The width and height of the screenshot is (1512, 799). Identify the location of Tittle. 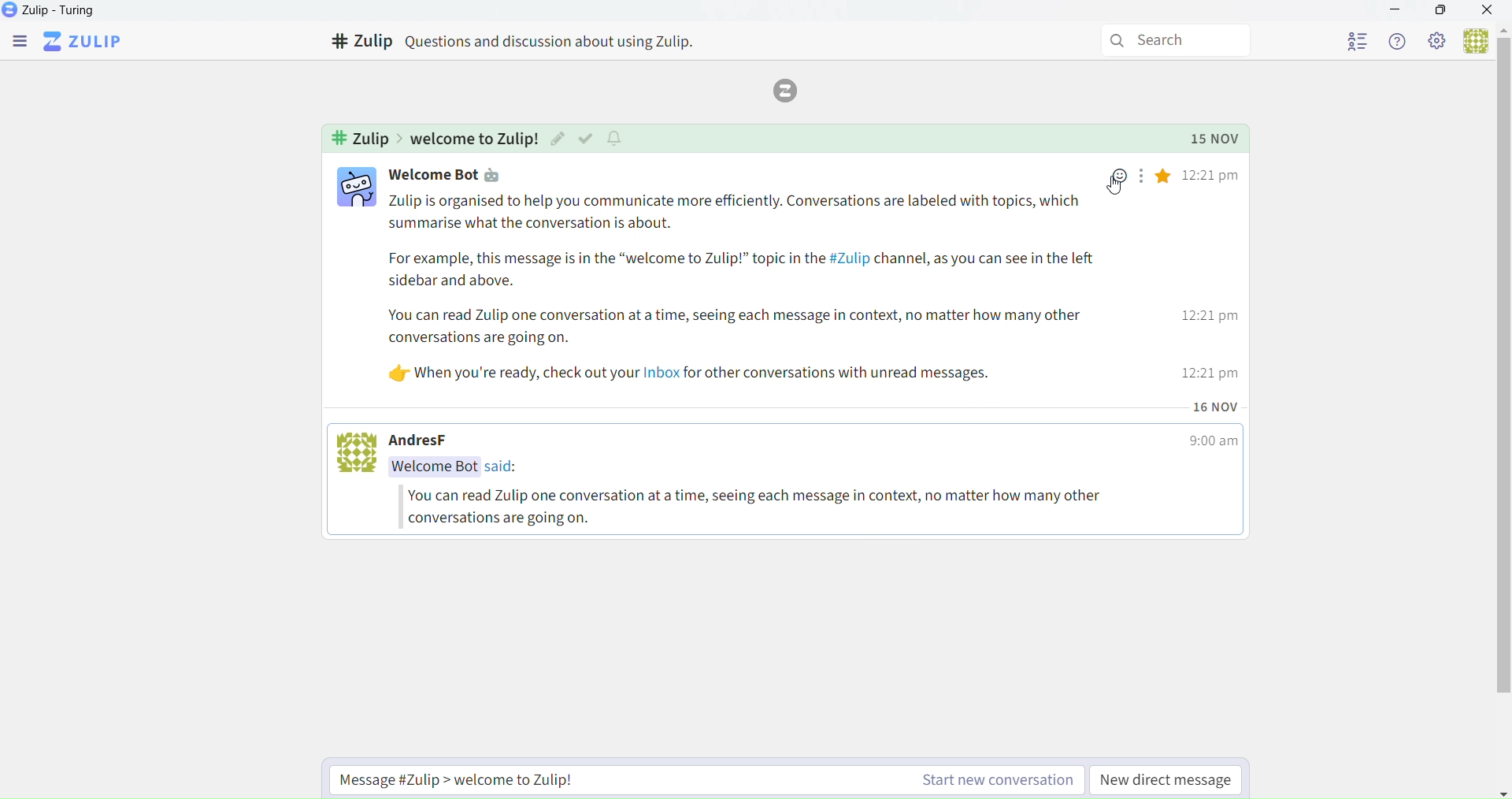
(529, 41).